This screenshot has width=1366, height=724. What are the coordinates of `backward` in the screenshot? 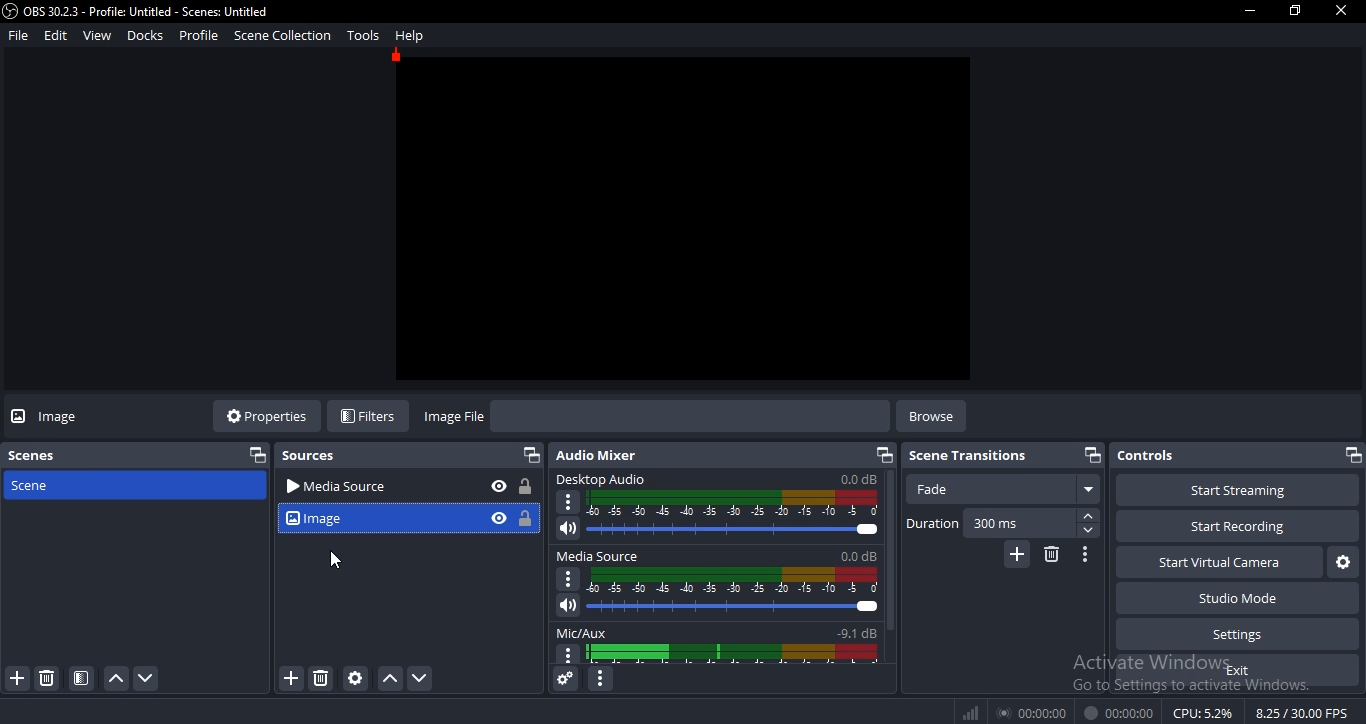 It's located at (1088, 532).